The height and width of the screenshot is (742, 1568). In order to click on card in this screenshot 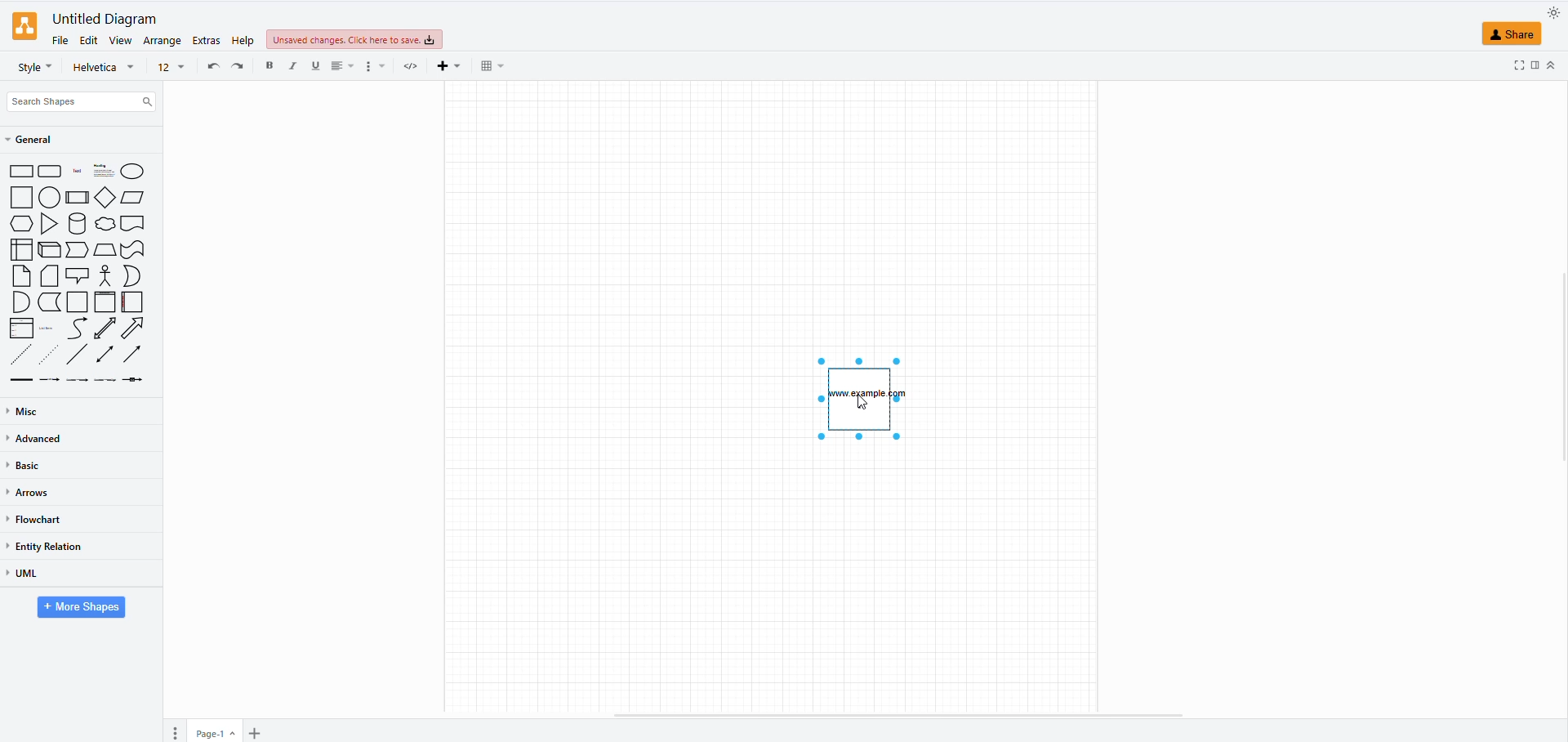, I will do `click(51, 277)`.